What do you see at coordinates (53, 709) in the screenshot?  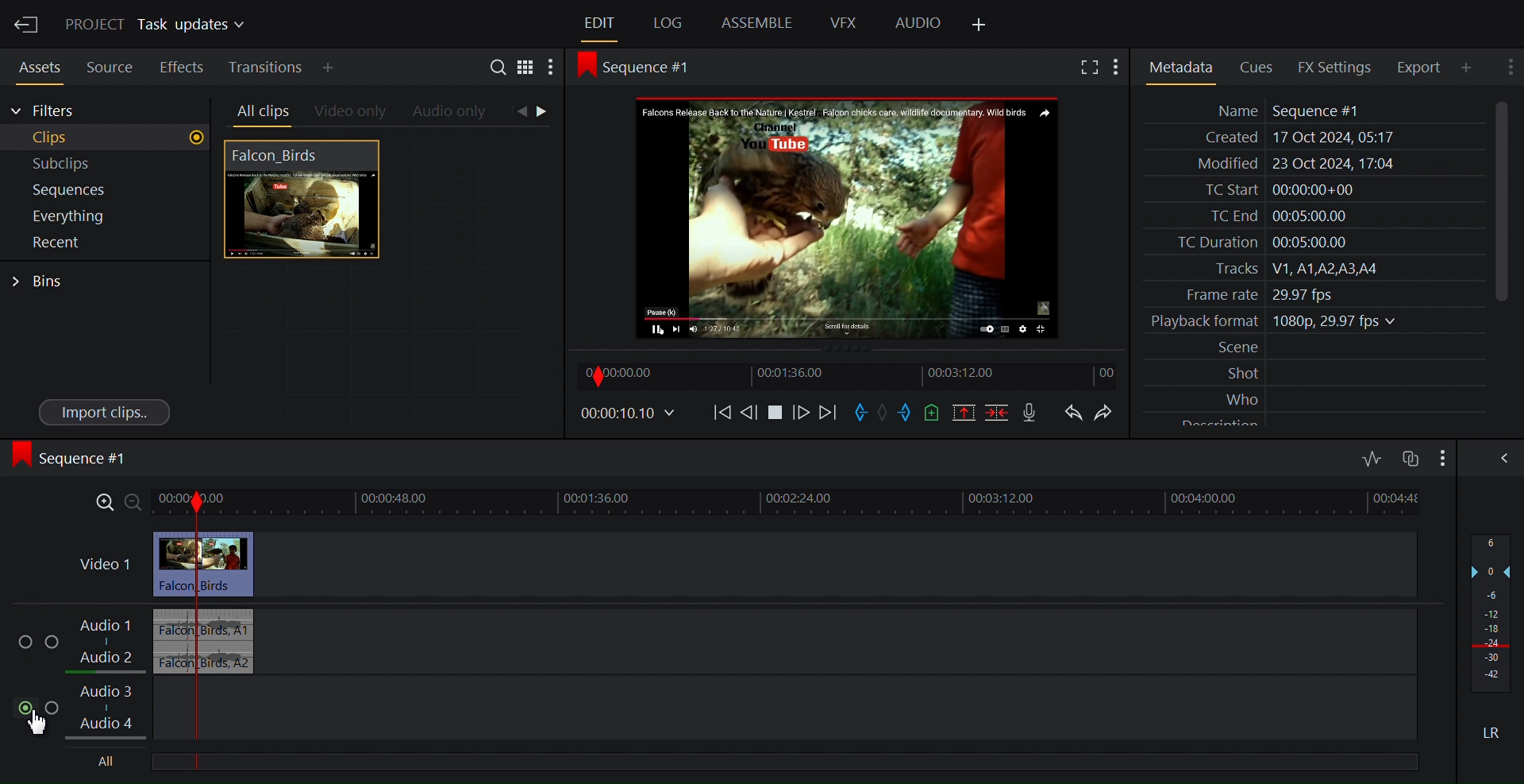 I see `Solo this track` at bounding box center [53, 709].